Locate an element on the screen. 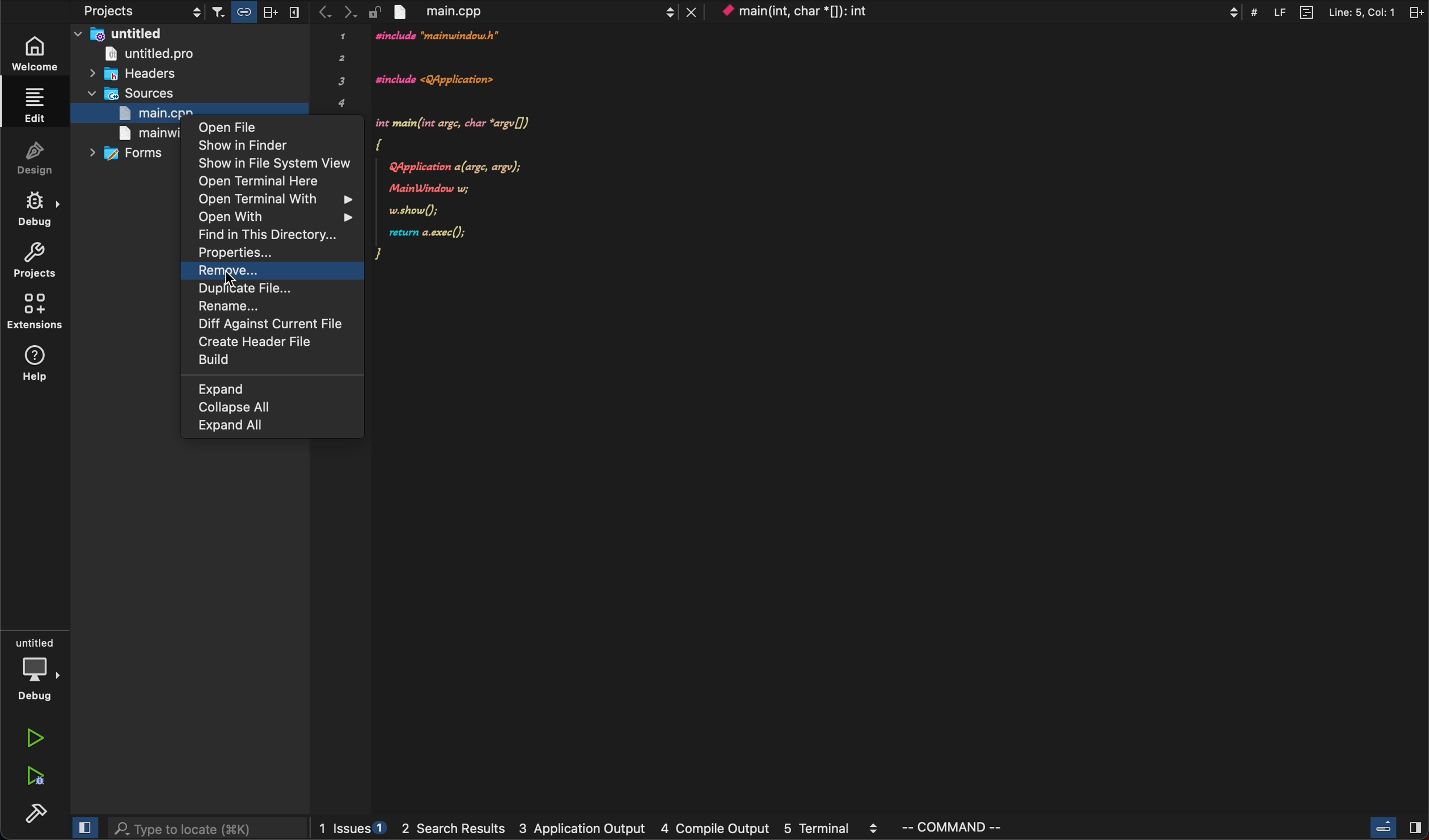 This screenshot has width=1429, height=840. projects is located at coordinates (38, 260).